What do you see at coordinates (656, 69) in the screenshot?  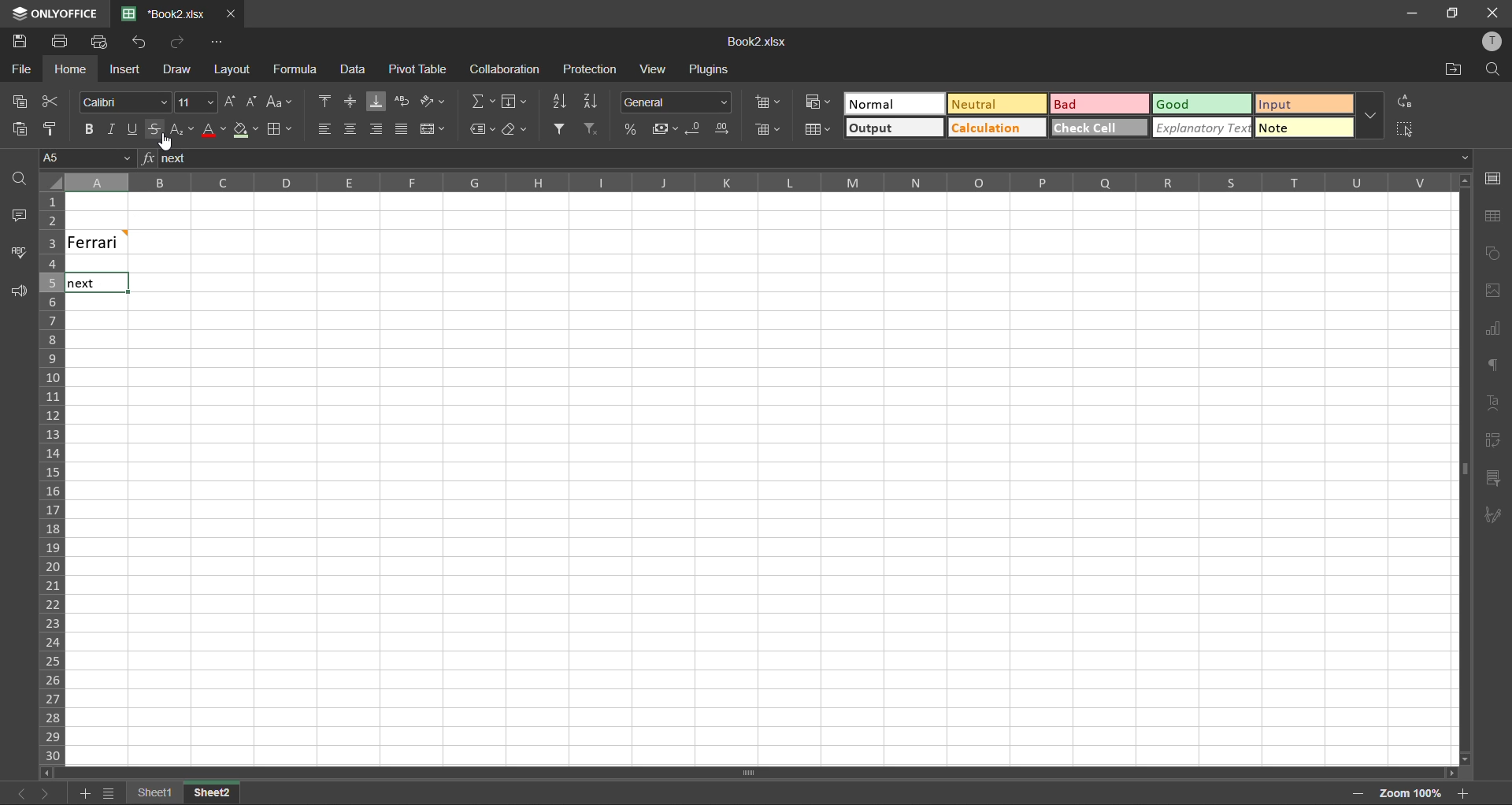 I see `view` at bounding box center [656, 69].